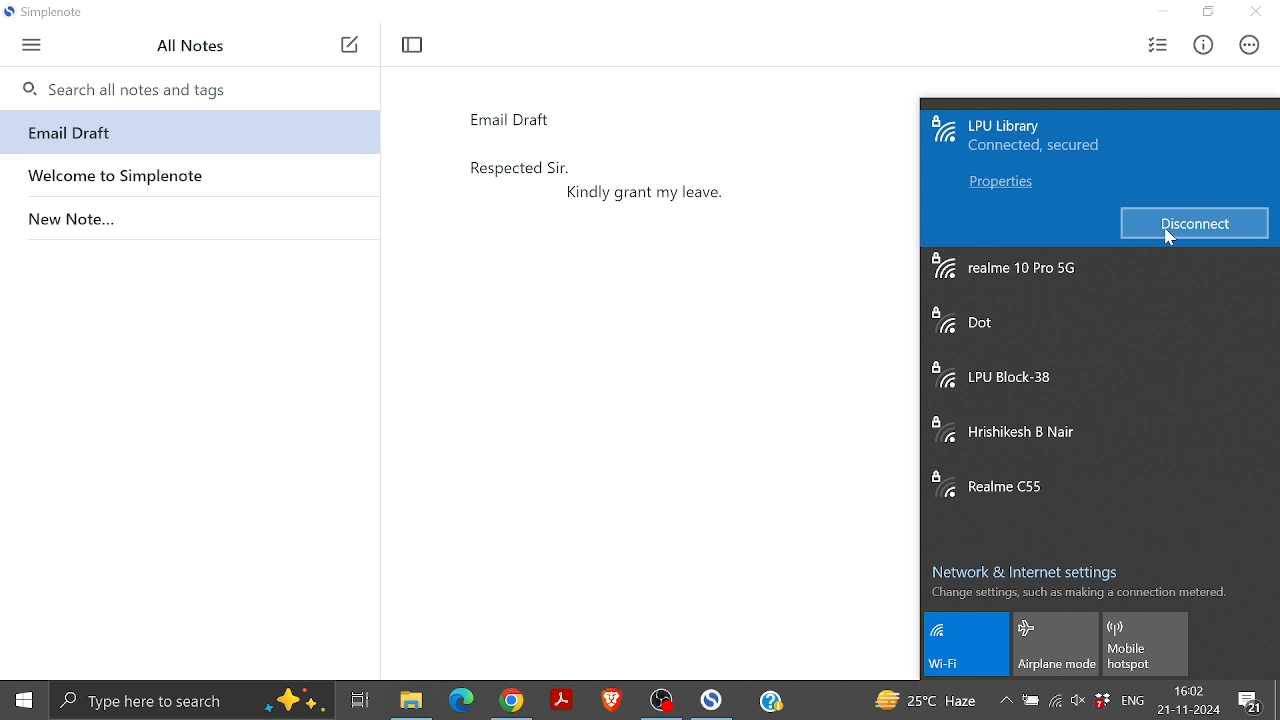  What do you see at coordinates (1103, 700) in the screenshot?
I see `Dropbox` at bounding box center [1103, 700].